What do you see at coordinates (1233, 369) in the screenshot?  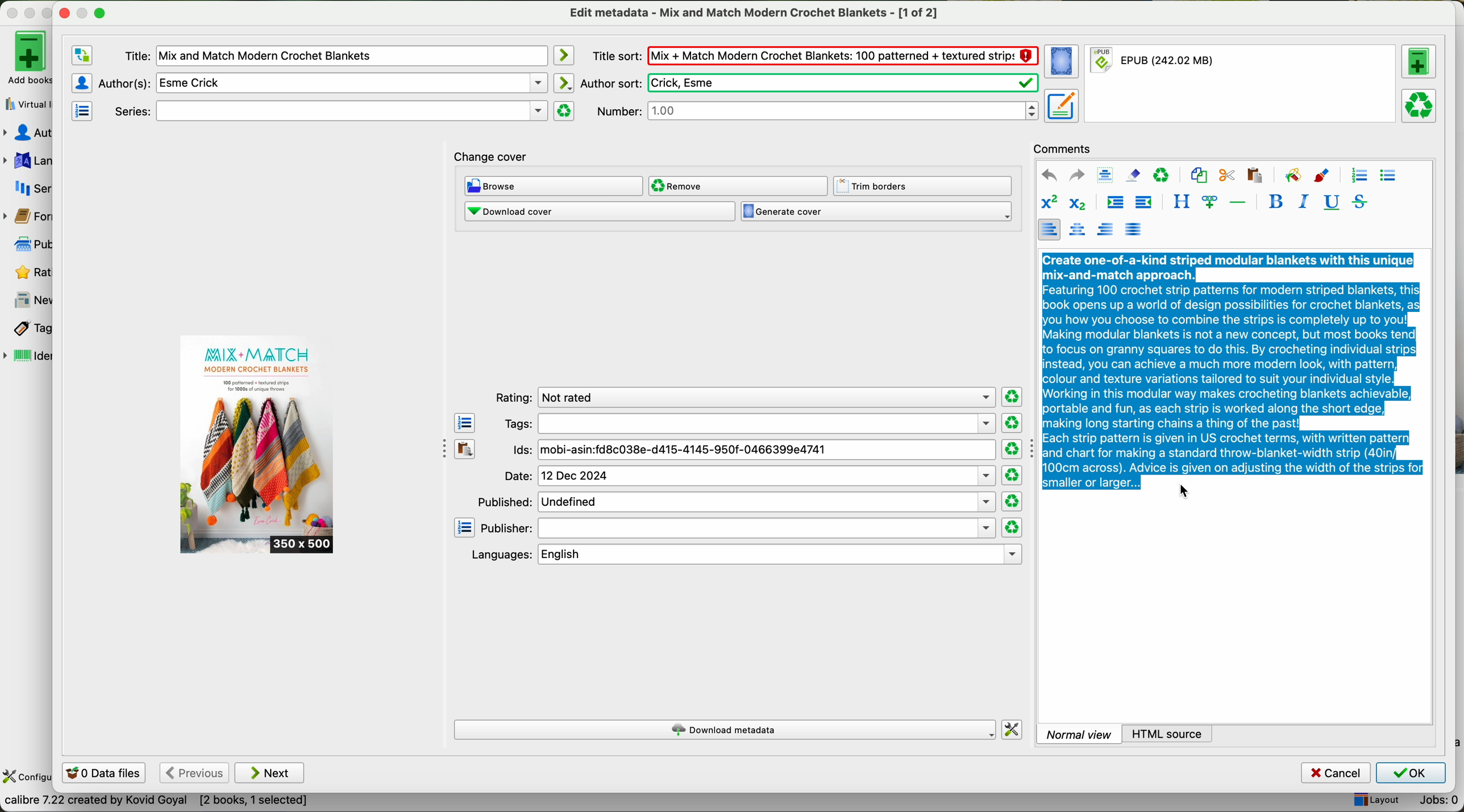 I see `selected text` at bounding box center [1233, 369].